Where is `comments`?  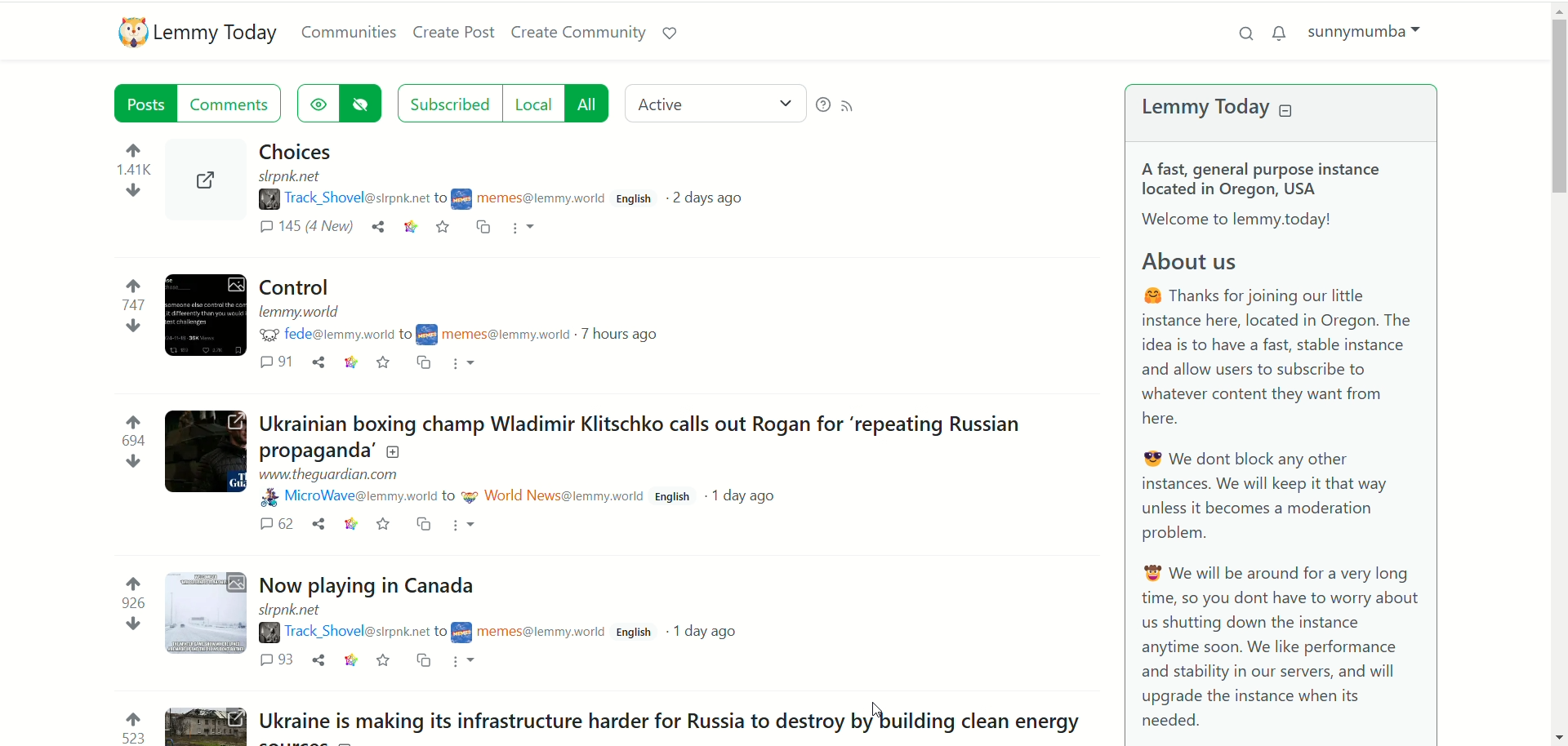
comments is located at coordinates (303, 229).